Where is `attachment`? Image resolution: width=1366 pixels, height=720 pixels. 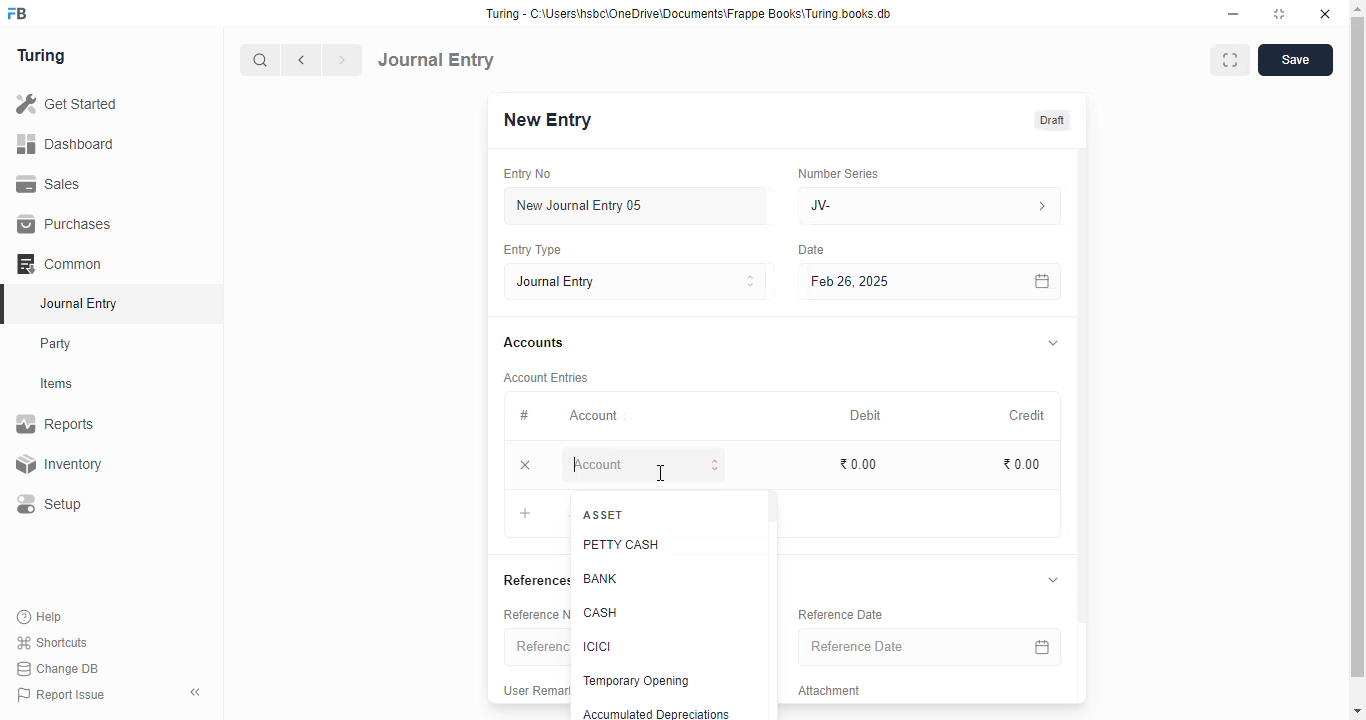 attachment is located at coordinates (829, 691).